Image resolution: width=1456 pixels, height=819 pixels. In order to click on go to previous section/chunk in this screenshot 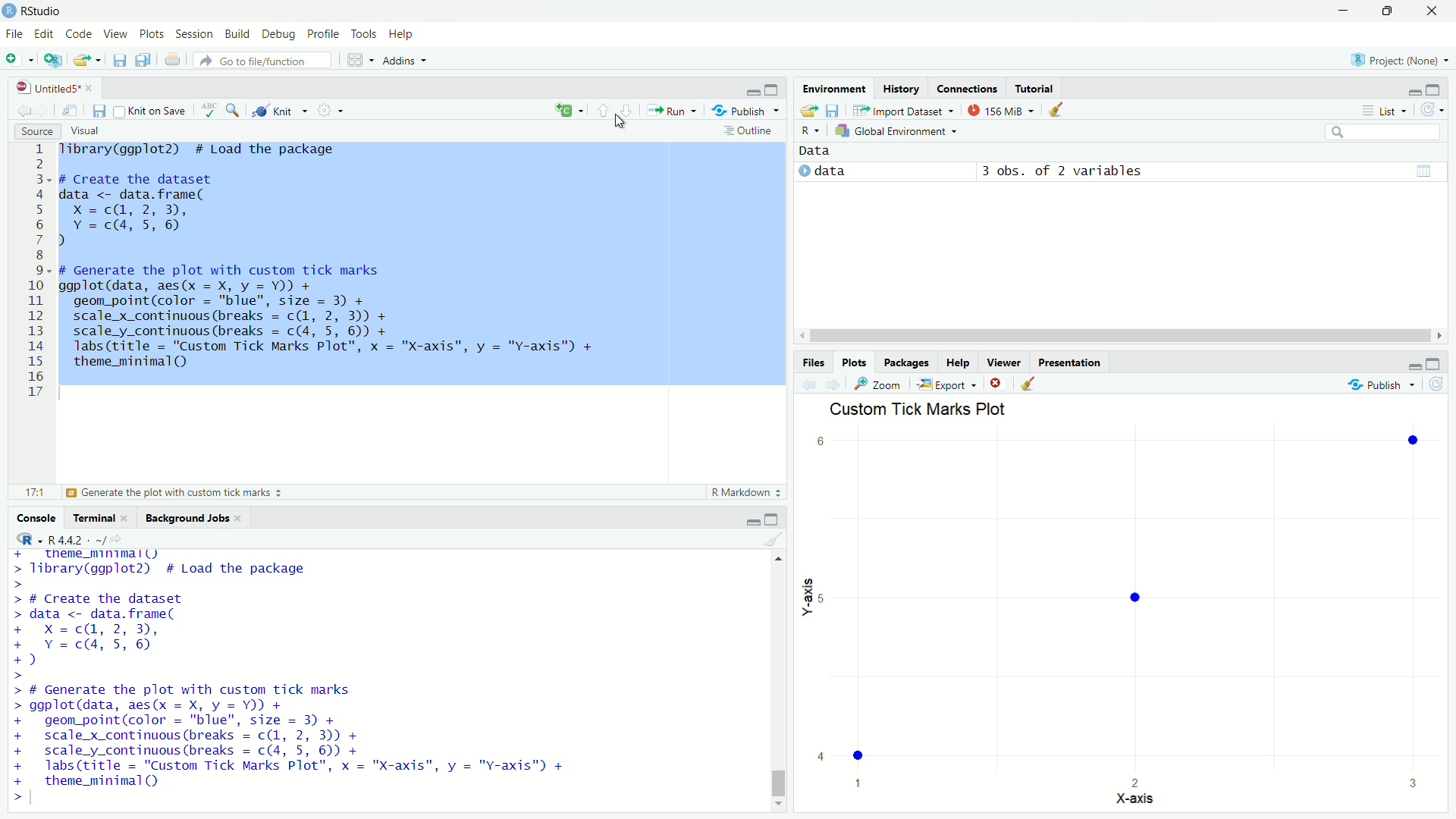, I will do `click(602, 110)`.